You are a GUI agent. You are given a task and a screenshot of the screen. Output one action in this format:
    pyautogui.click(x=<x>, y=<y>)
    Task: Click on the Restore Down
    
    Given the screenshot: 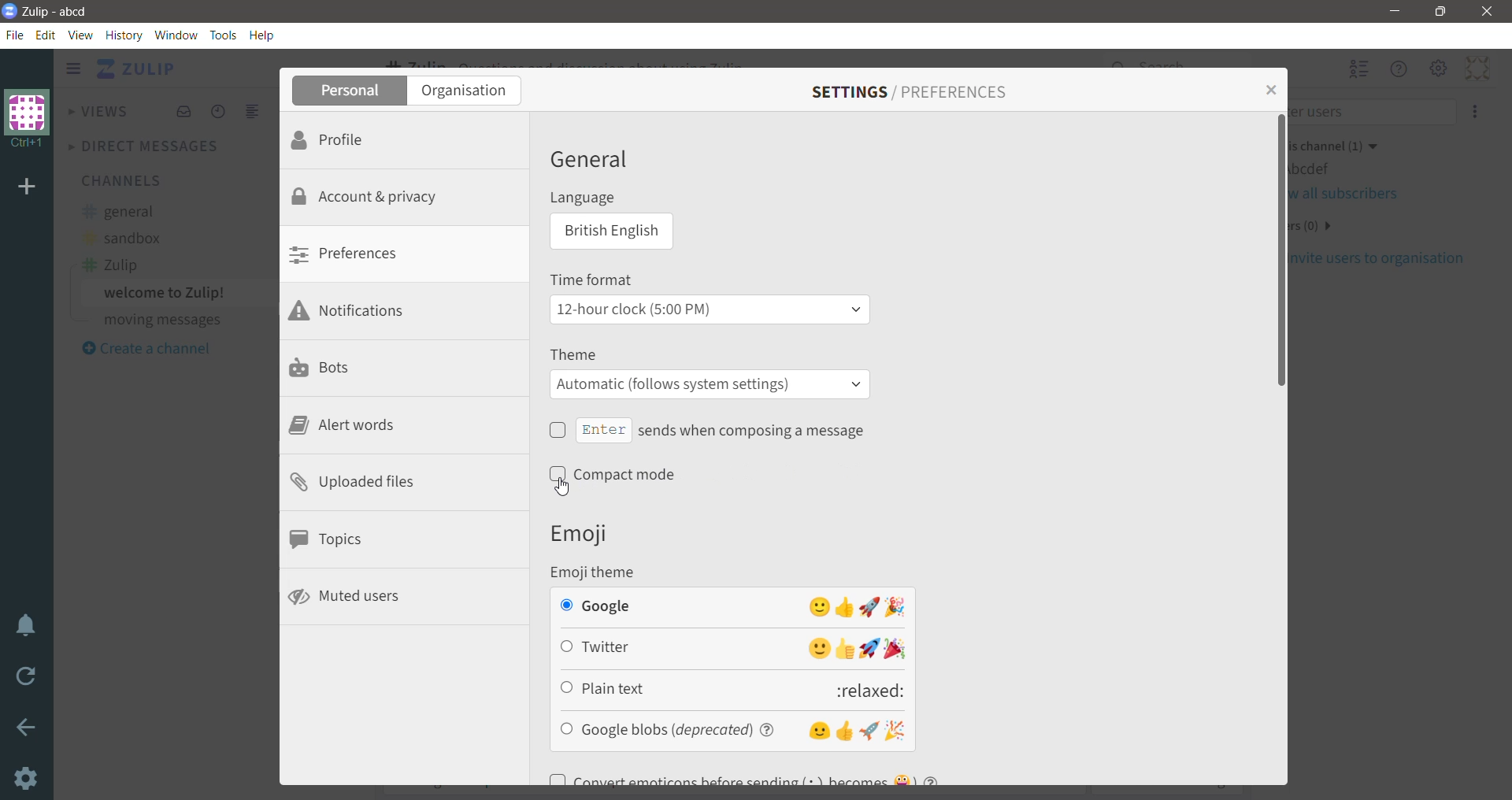 What is the action you would take?
    pyautogui.click(x=1443, y=12)
    